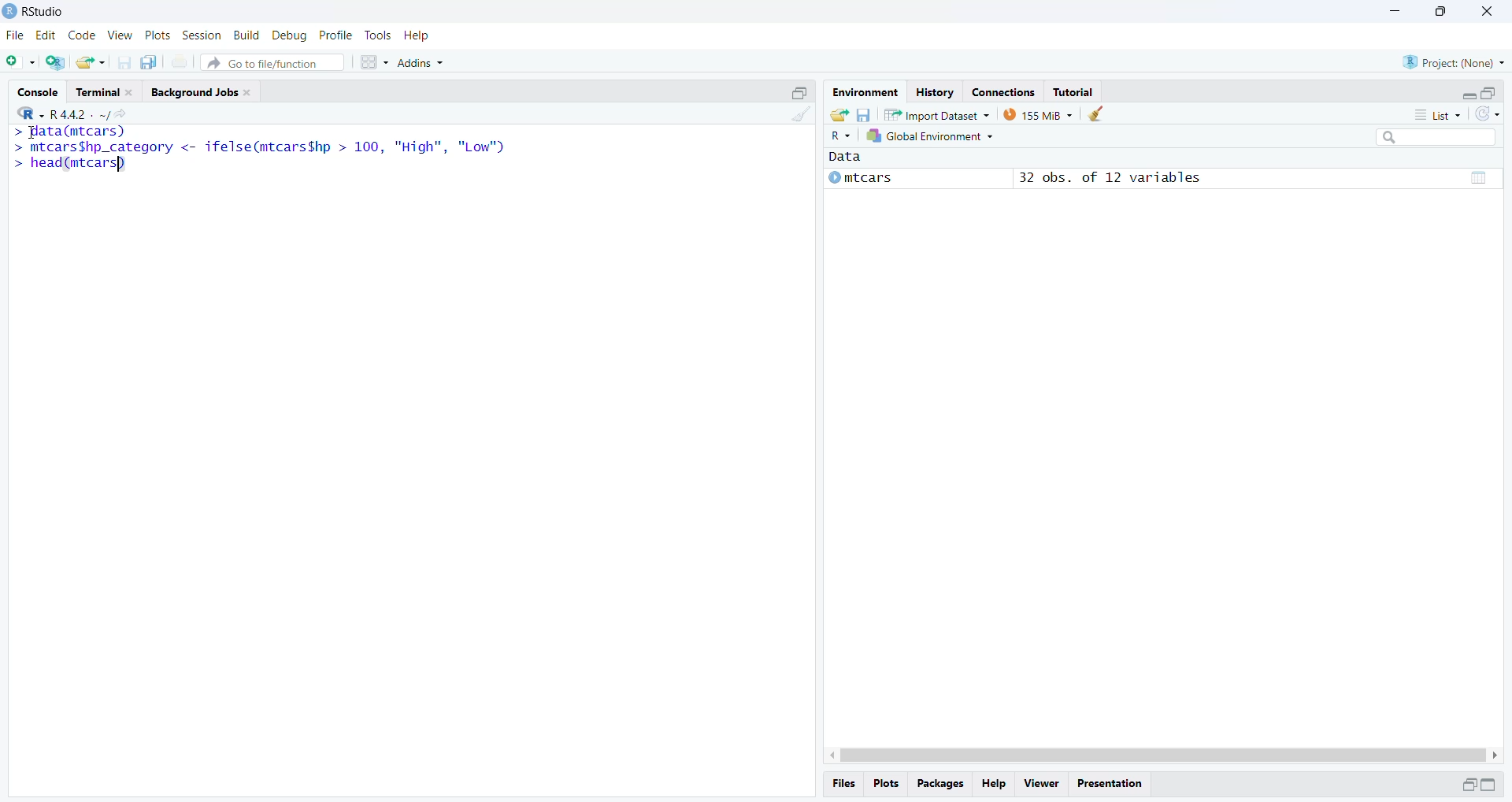  What do you see at coordinates (157, 36) in the screenshot?
I see `Plots` at bounding box center [157, 36].